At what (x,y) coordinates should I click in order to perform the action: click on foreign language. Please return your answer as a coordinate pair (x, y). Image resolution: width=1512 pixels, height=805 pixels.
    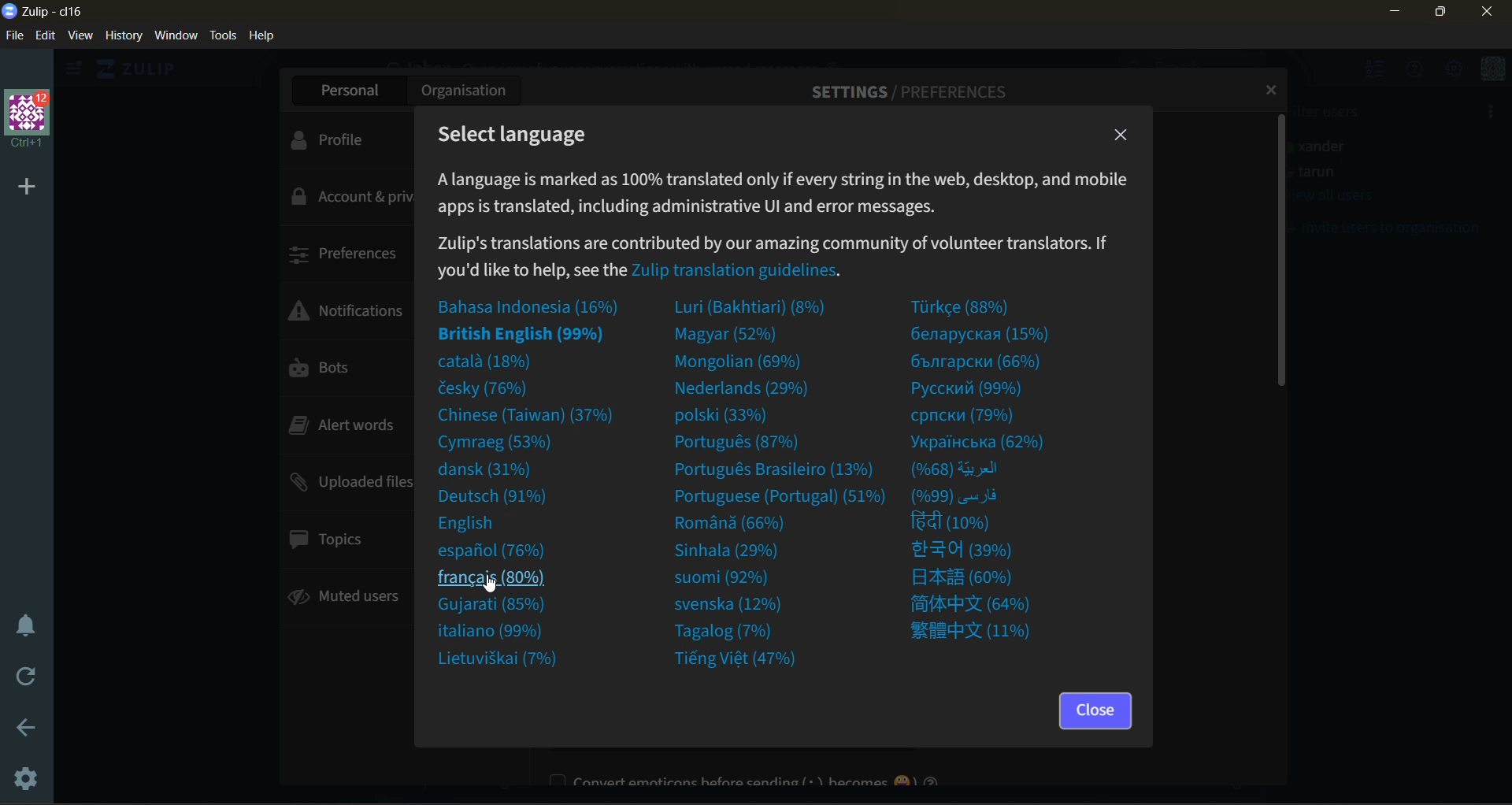
    Looking at the image, I should click on (973, 634).